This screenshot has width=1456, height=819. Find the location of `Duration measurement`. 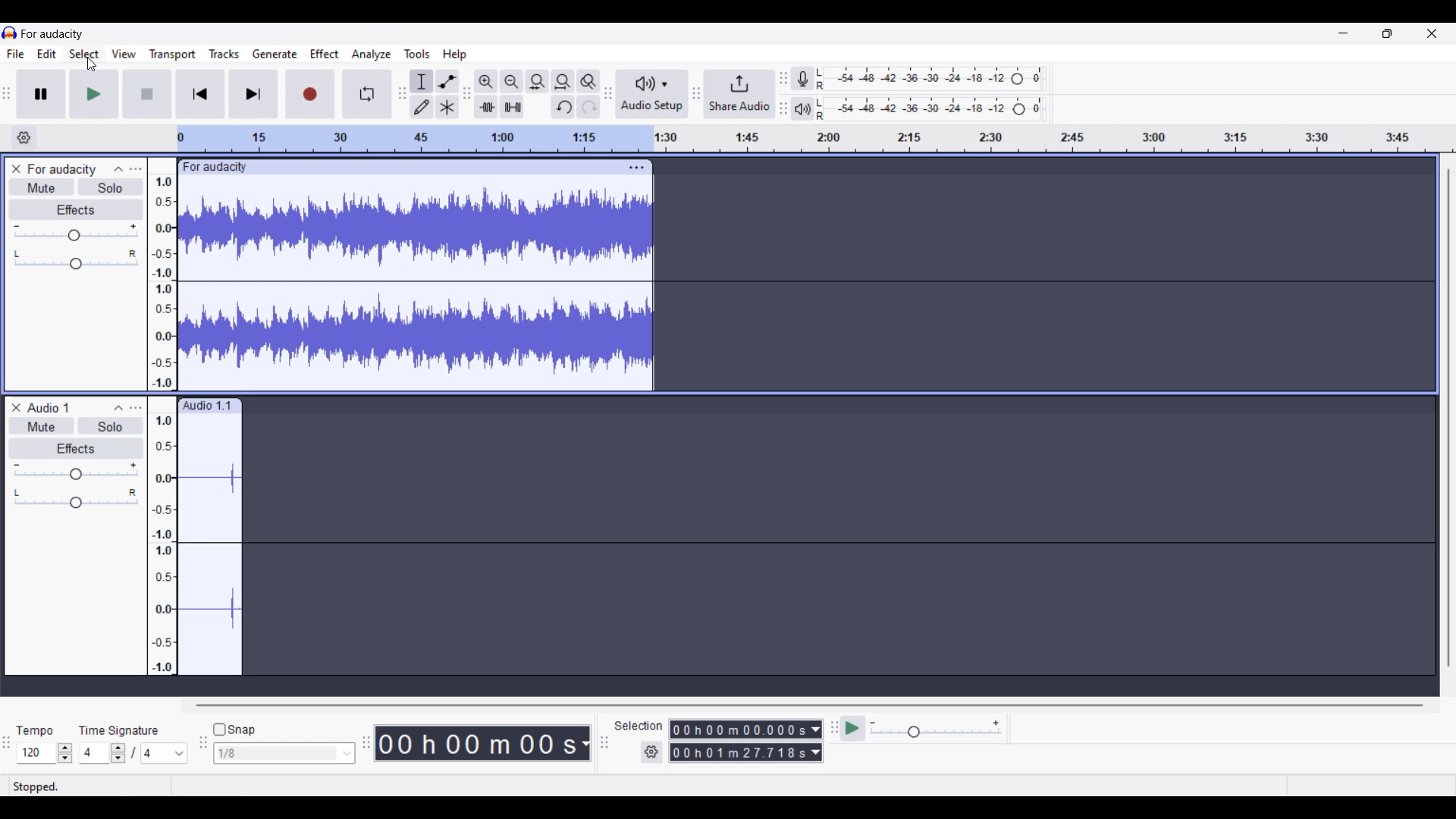

Duration measurement is located at coordinates (817, 741).